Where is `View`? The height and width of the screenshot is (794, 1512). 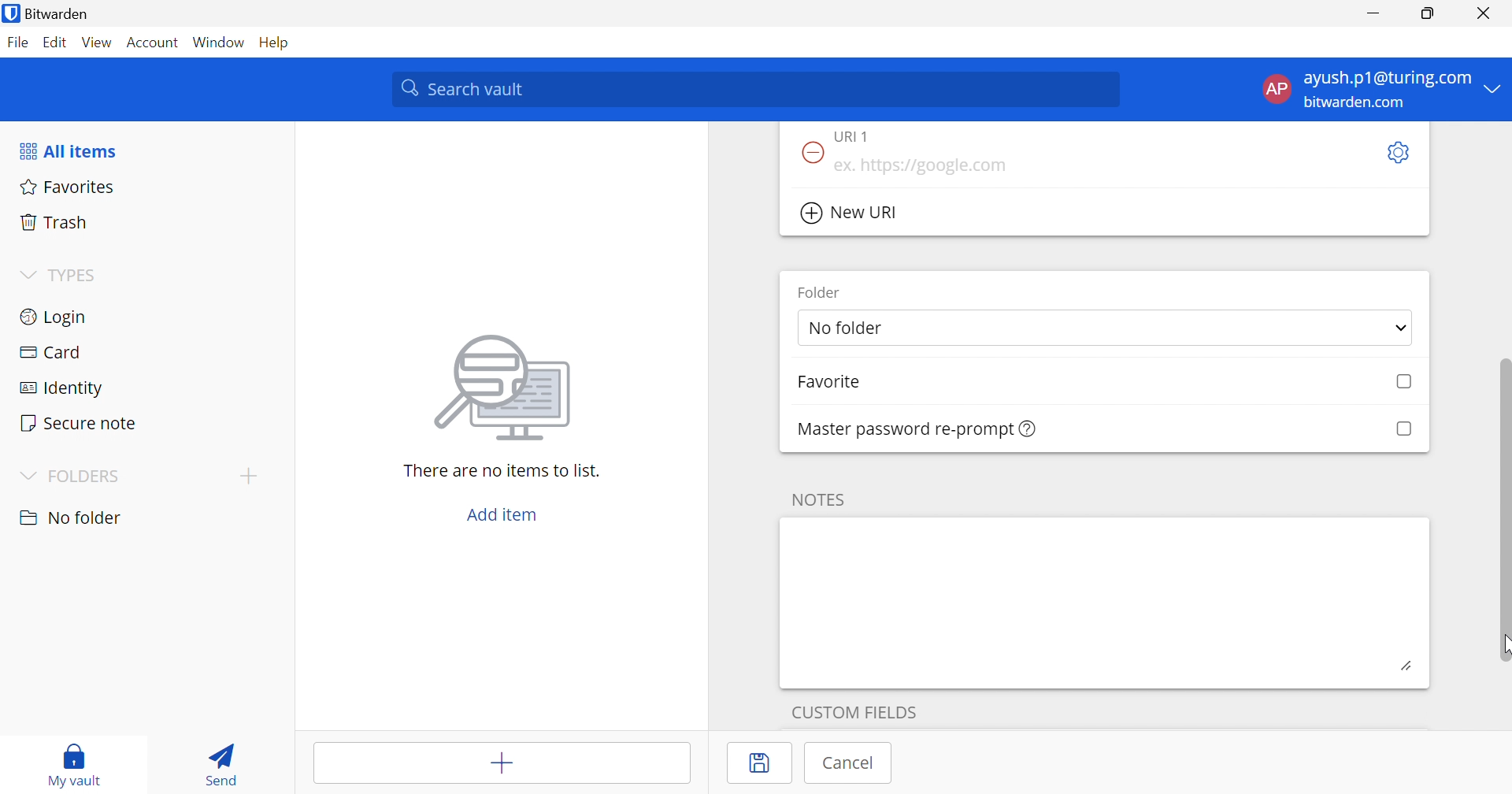
View is located at coordinates (96, 42).